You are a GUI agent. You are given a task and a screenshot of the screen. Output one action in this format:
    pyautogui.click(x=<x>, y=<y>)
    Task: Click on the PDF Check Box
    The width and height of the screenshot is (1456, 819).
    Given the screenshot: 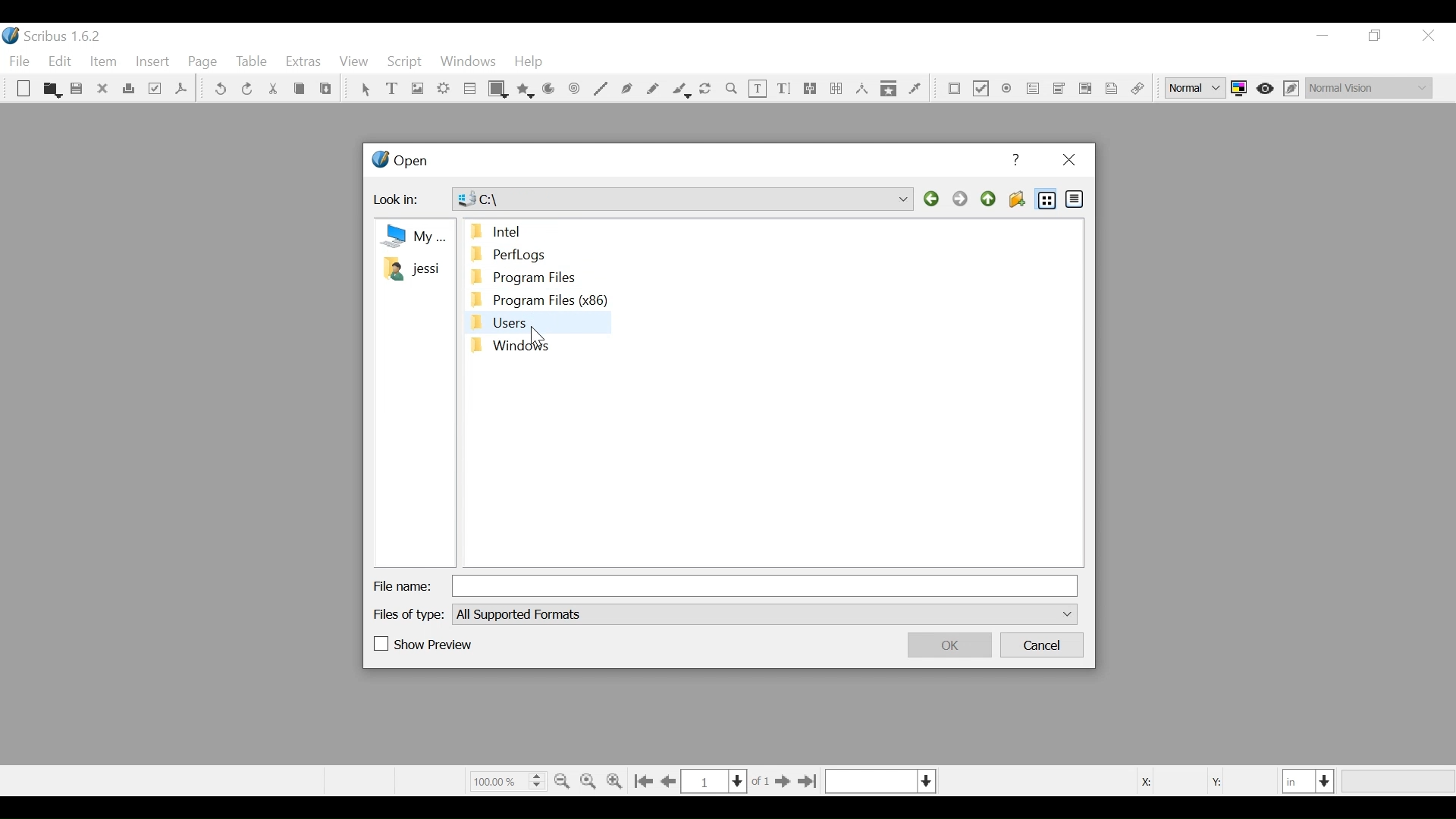 What is the action you would take?
    pyautogui.click(x=981, y=90)
    